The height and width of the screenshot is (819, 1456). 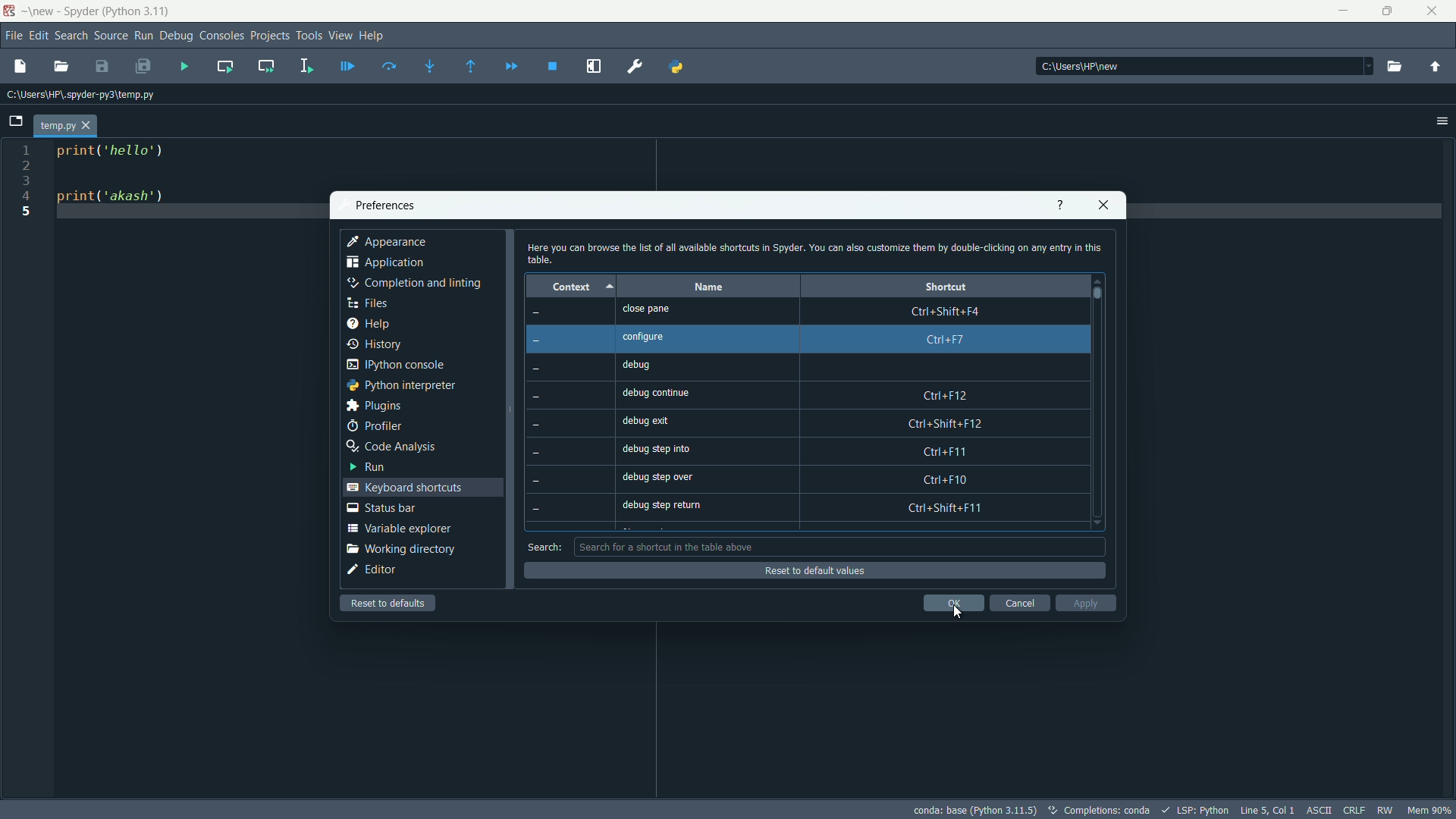 I want to click on completion and linting, so click(x=411, y=283).